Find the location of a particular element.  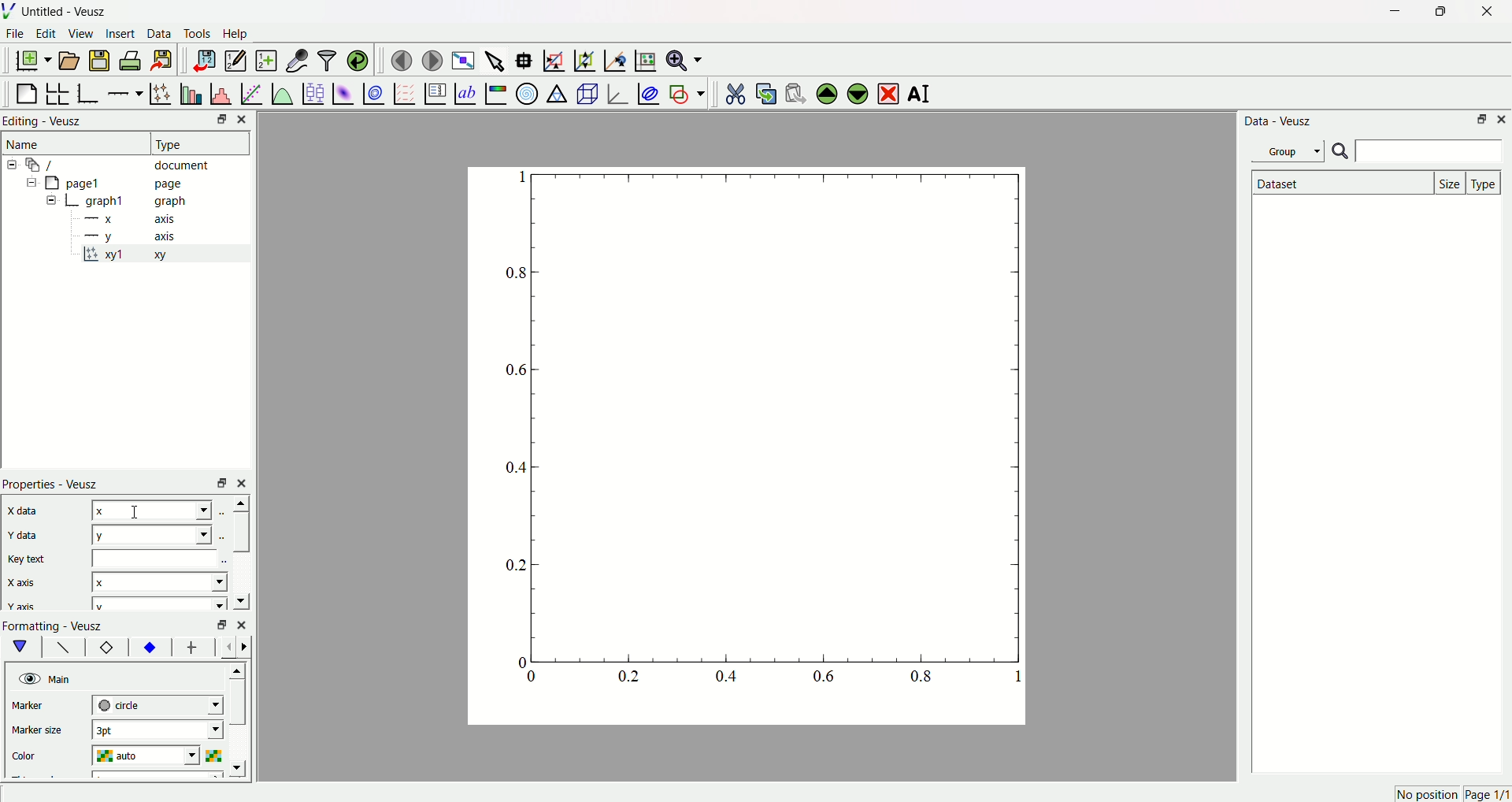

move to previous page is located at coordinates (401, 60).